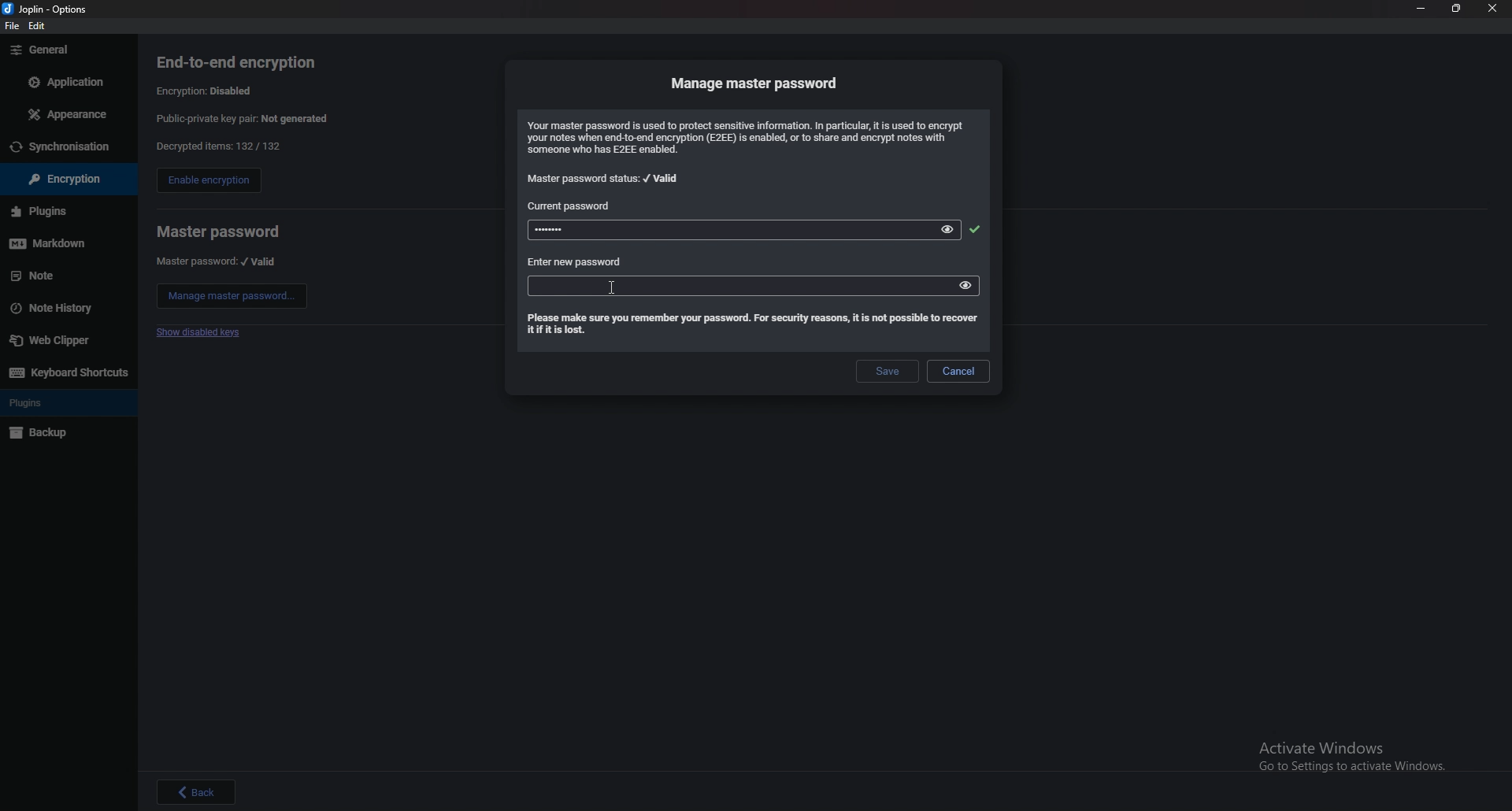  I want to click on accepted password, so click(974, 229).